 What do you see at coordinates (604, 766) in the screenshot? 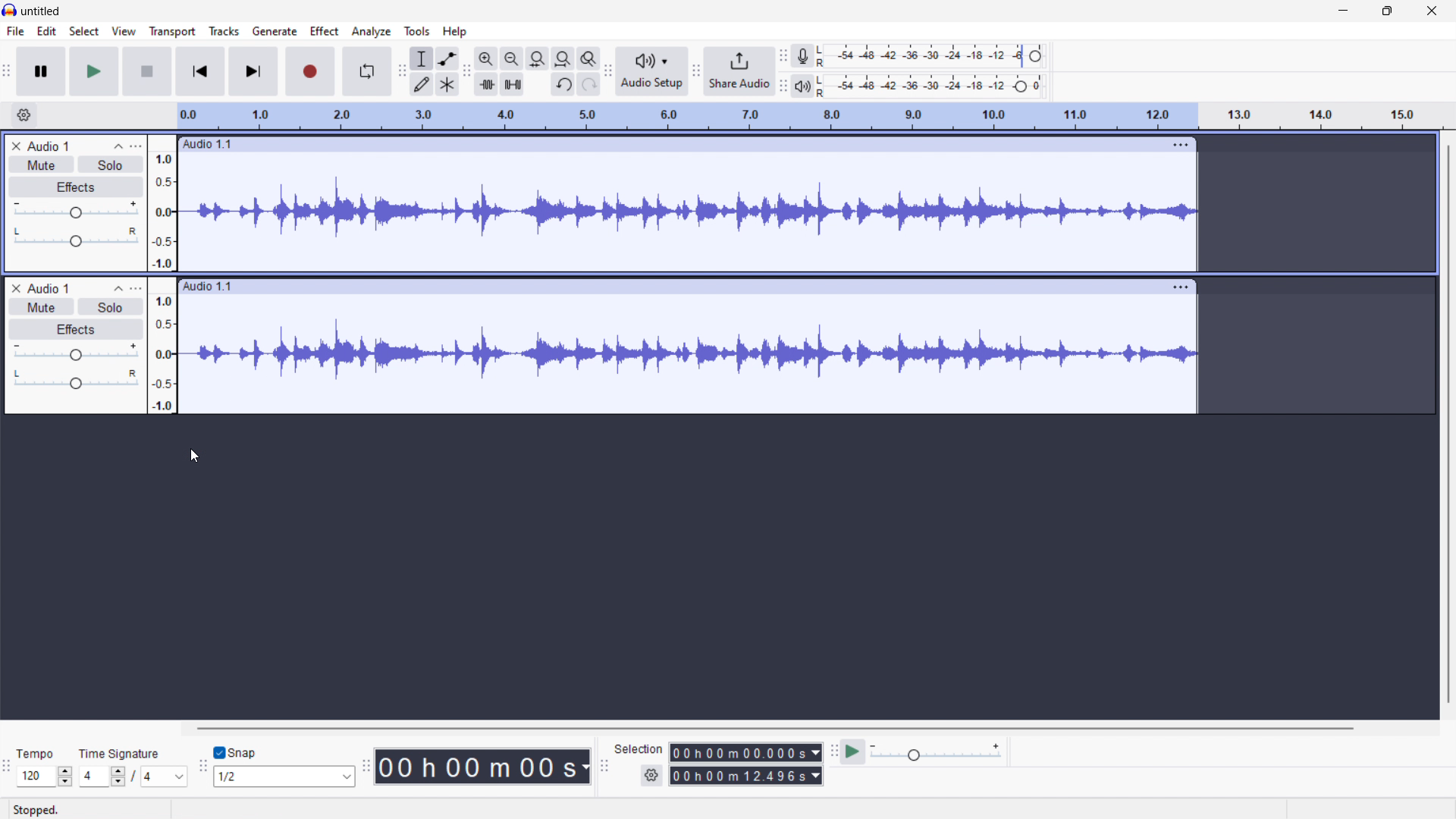
I see `selection toolbar` at bounding box center [604, 766].